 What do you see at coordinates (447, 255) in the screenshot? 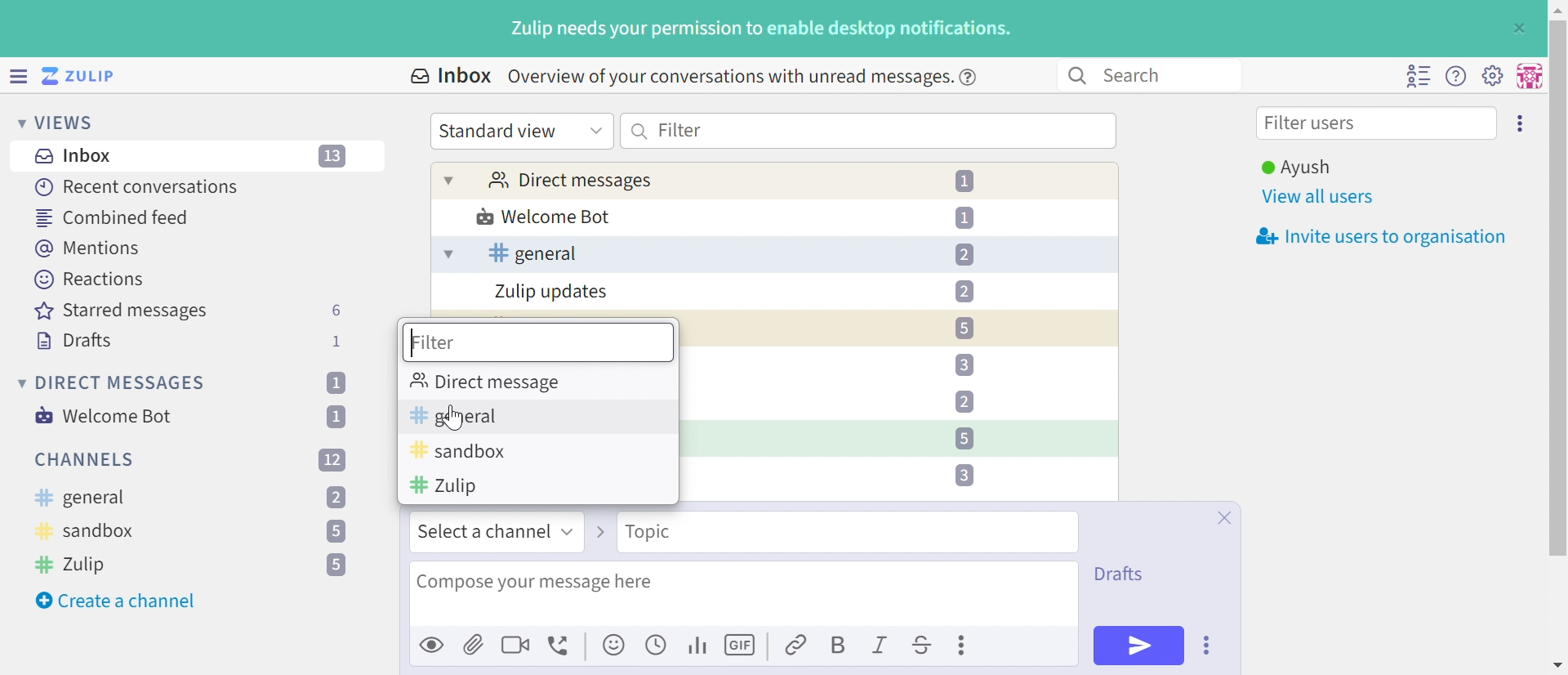
I see `Drop Down` at bounding box center [447, 255].